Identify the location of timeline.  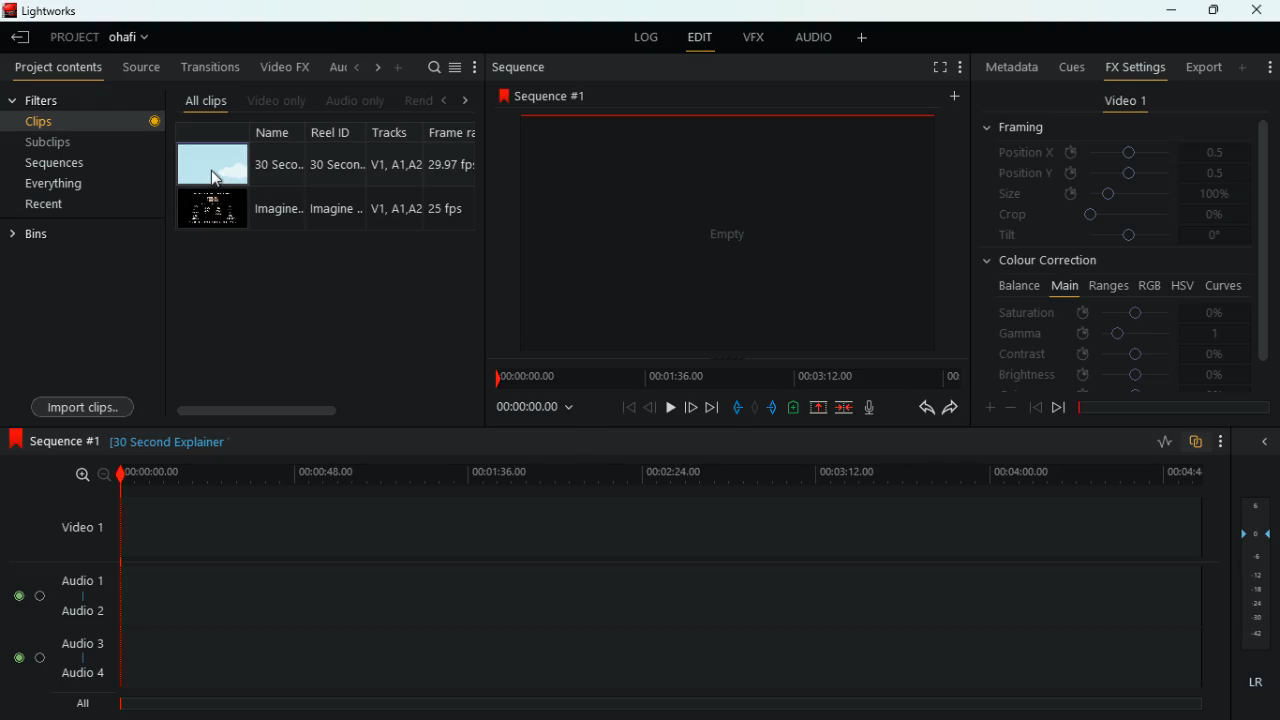
(651, 704).